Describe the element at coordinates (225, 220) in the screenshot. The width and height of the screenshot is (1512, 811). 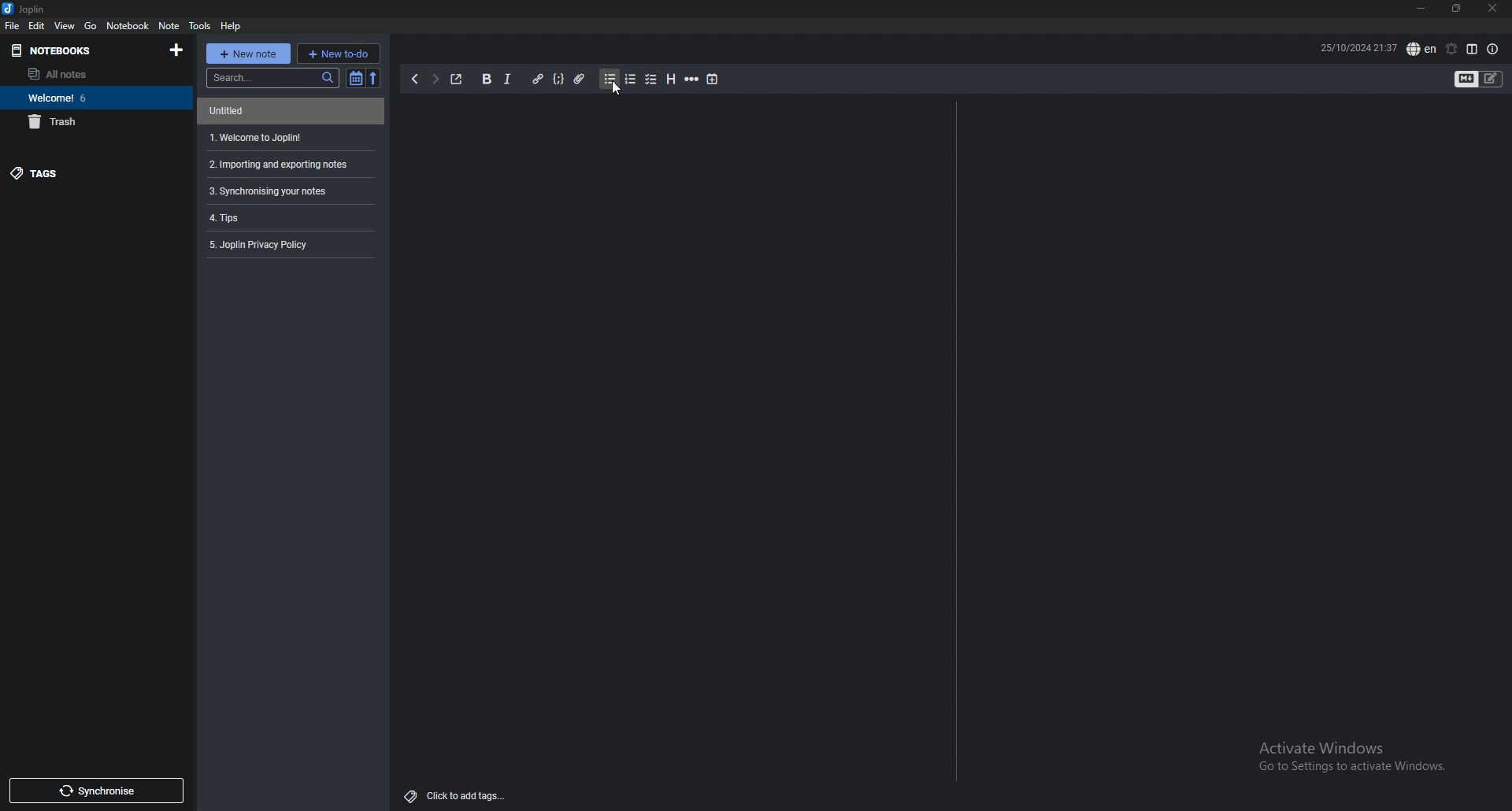
I see `Tips` at that location.